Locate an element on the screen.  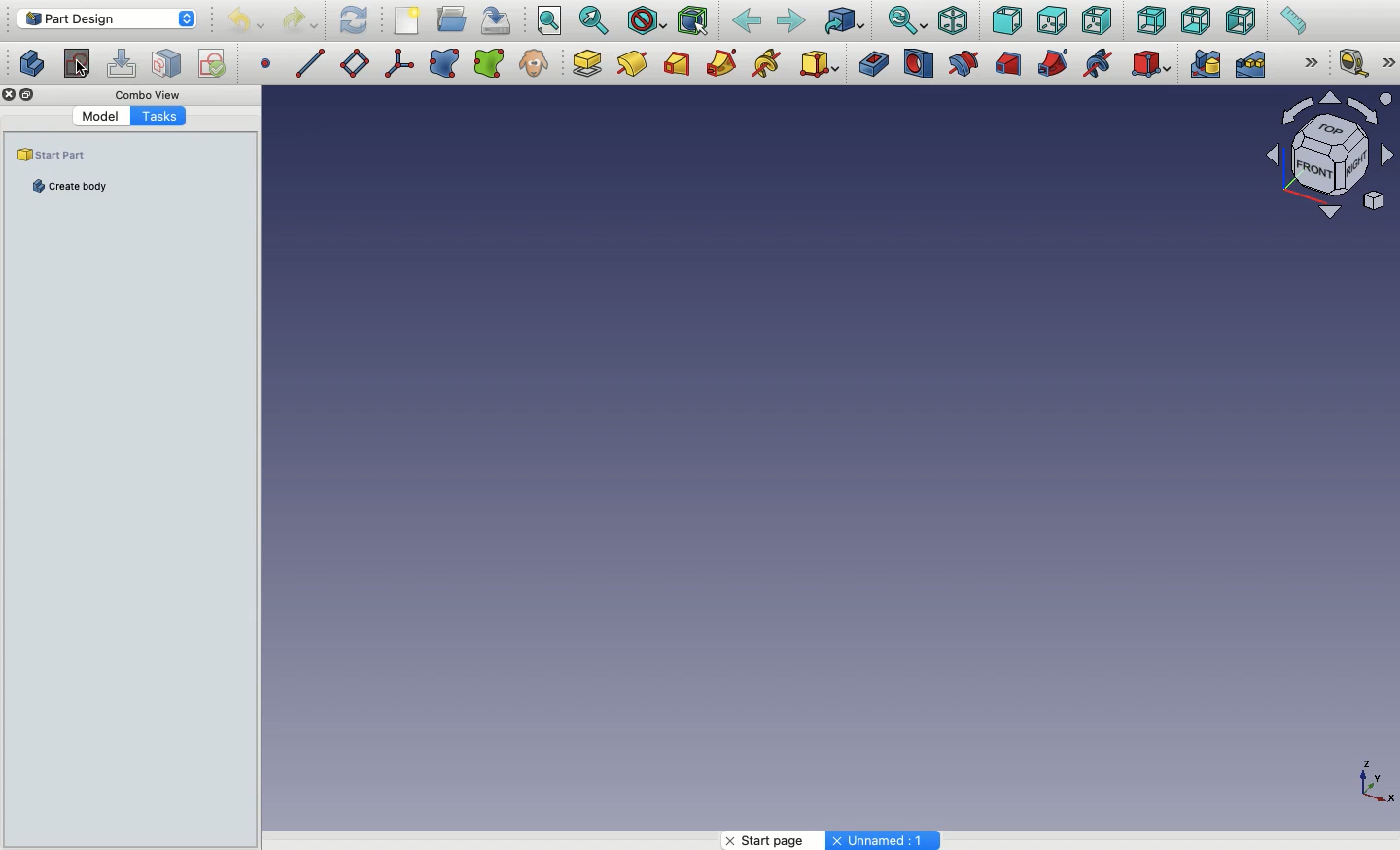
Create sketch  is located at coordinates (31, 62).